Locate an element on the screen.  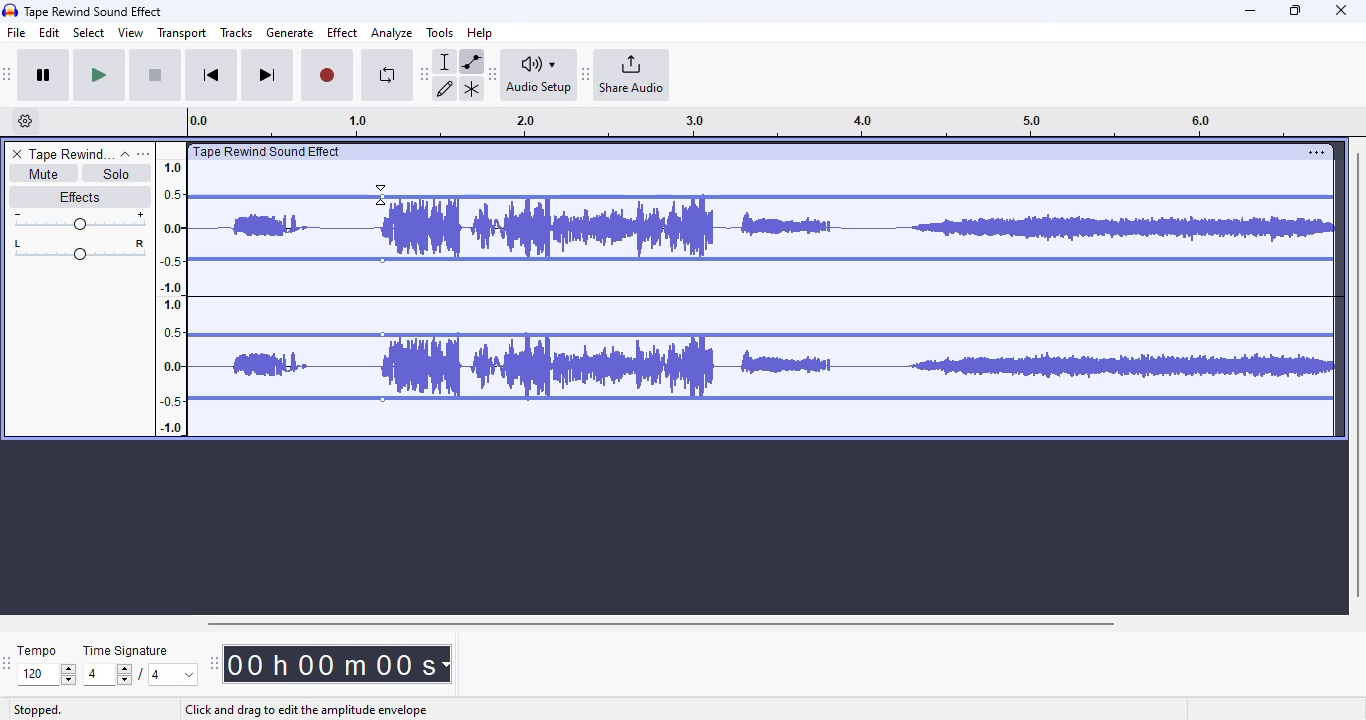
multi-tool is located at coordinates (471, 89).